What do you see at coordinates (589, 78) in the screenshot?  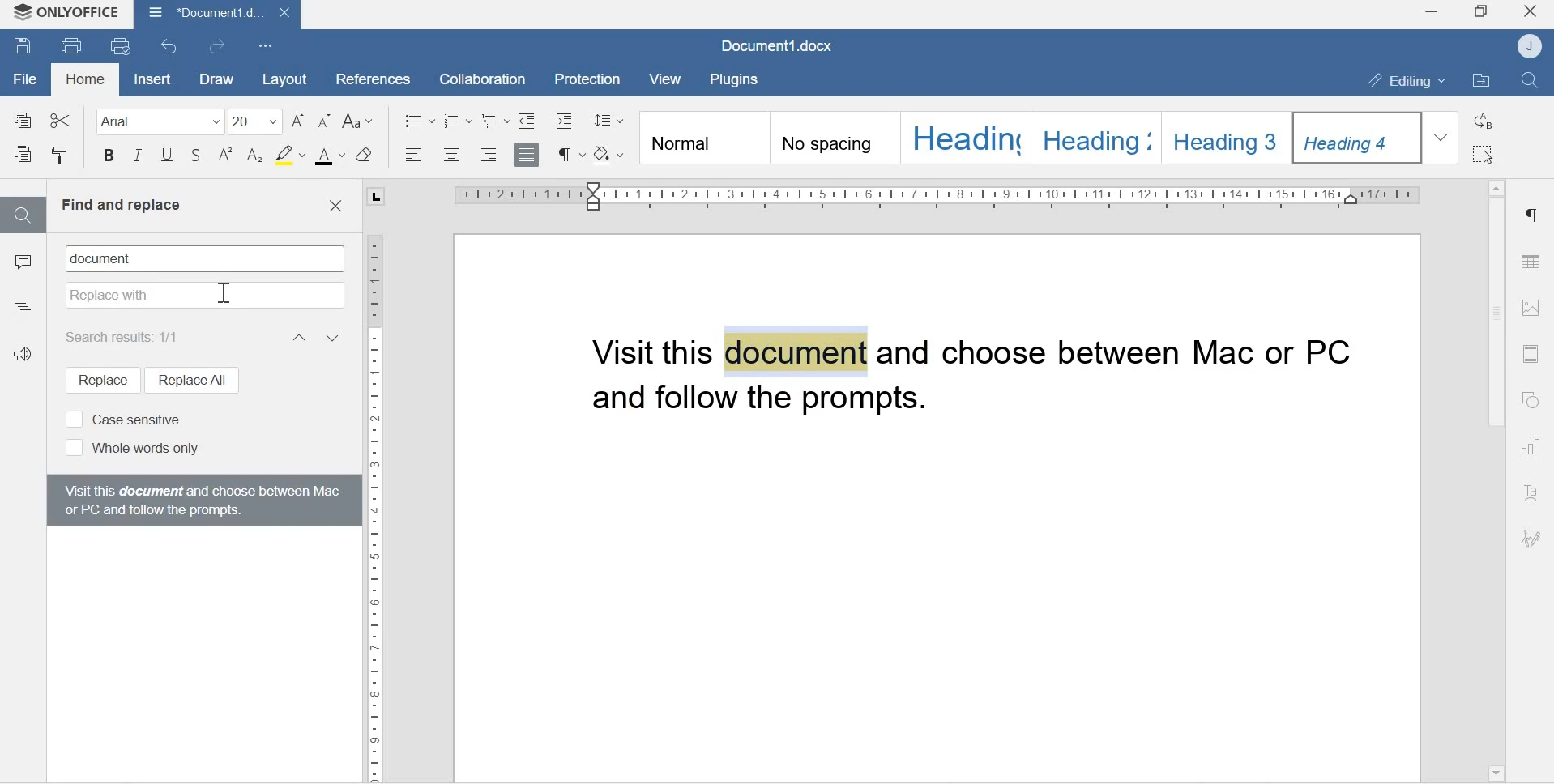 I see `Protection` at bounding box center [589, 78].